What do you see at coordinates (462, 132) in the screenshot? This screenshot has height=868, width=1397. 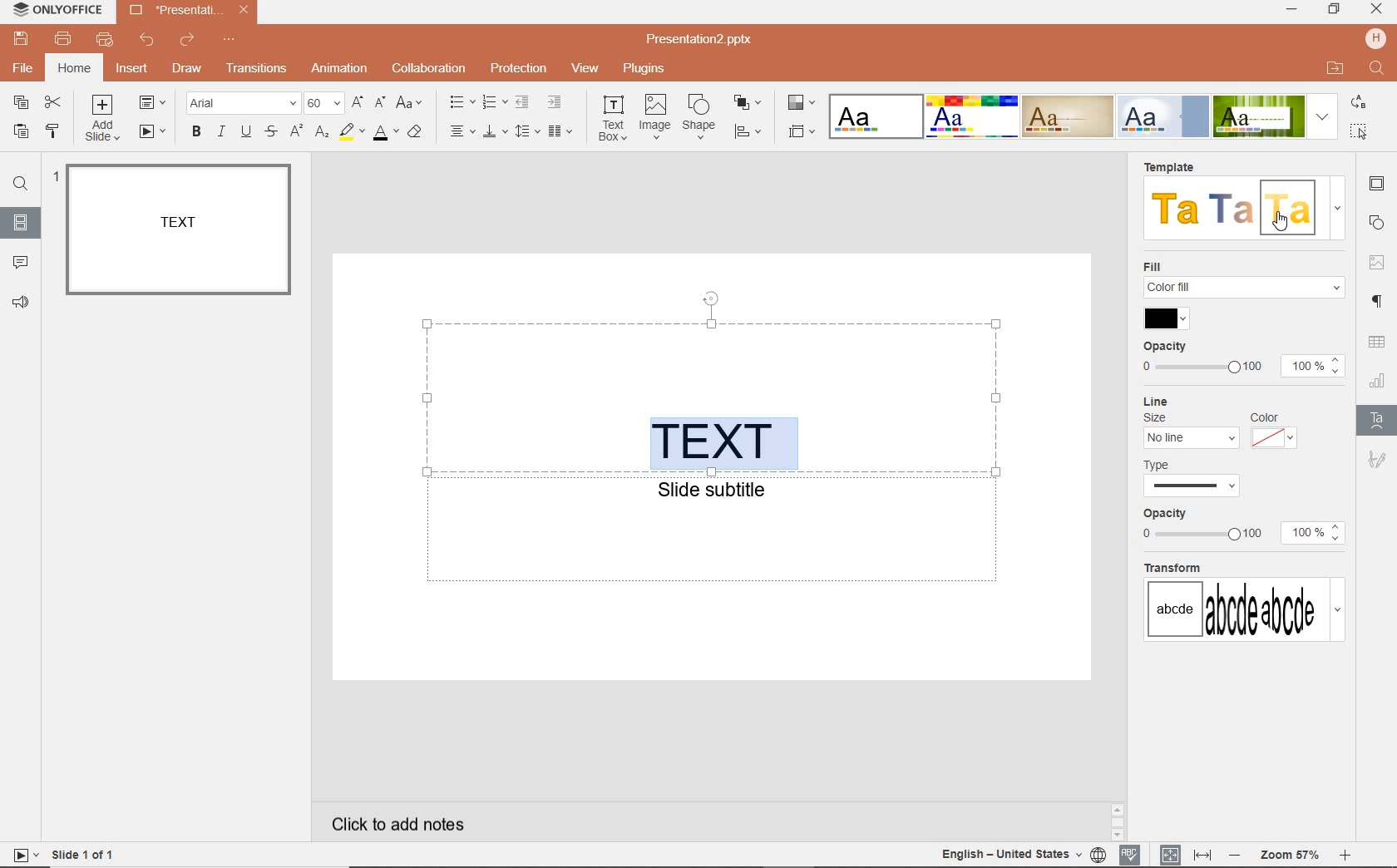 I see `HORIZONTAL ALIGN` at bounding box center [462, 132].